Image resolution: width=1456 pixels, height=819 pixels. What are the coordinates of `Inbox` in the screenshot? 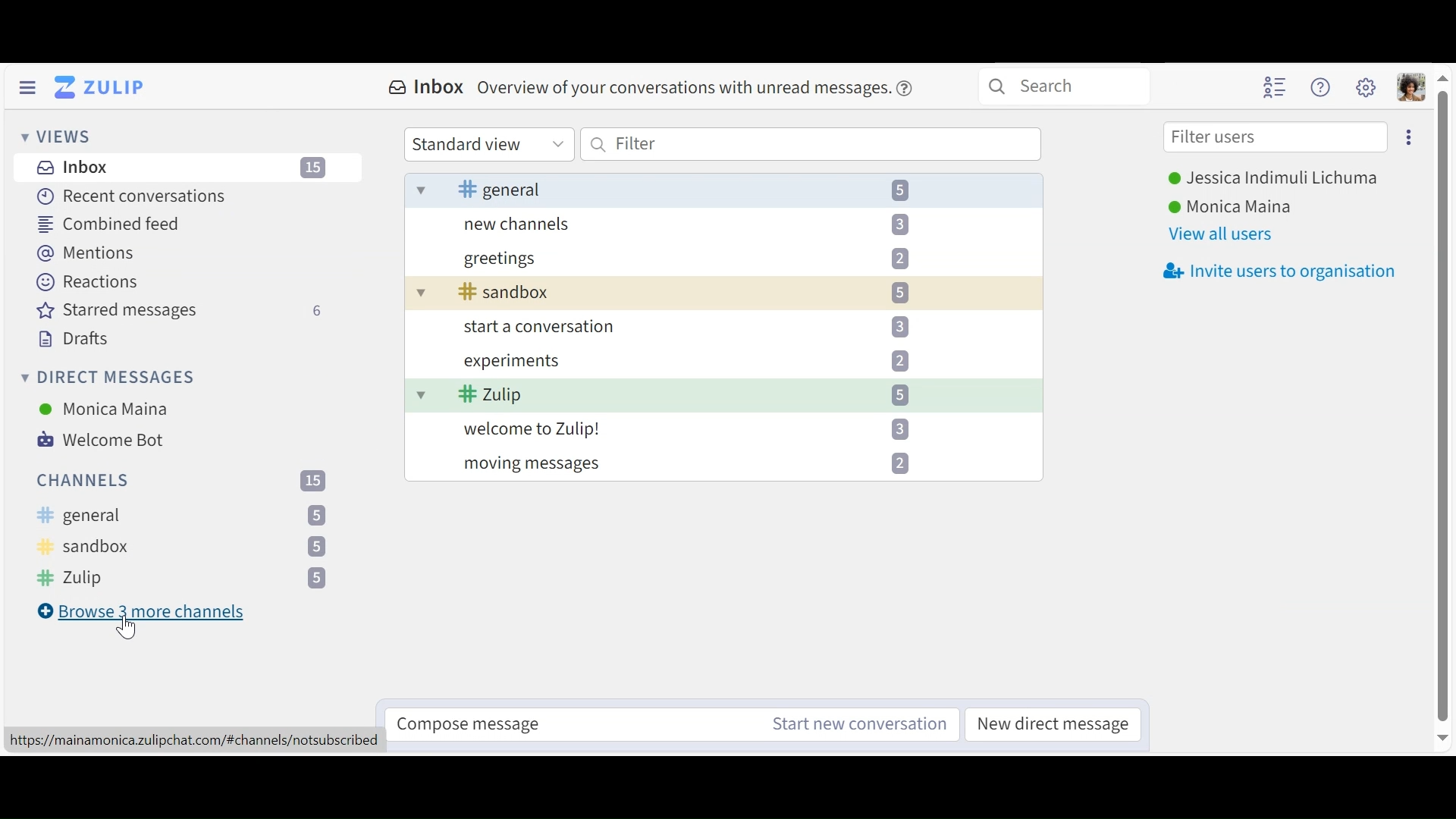 It's located at (188, 168).